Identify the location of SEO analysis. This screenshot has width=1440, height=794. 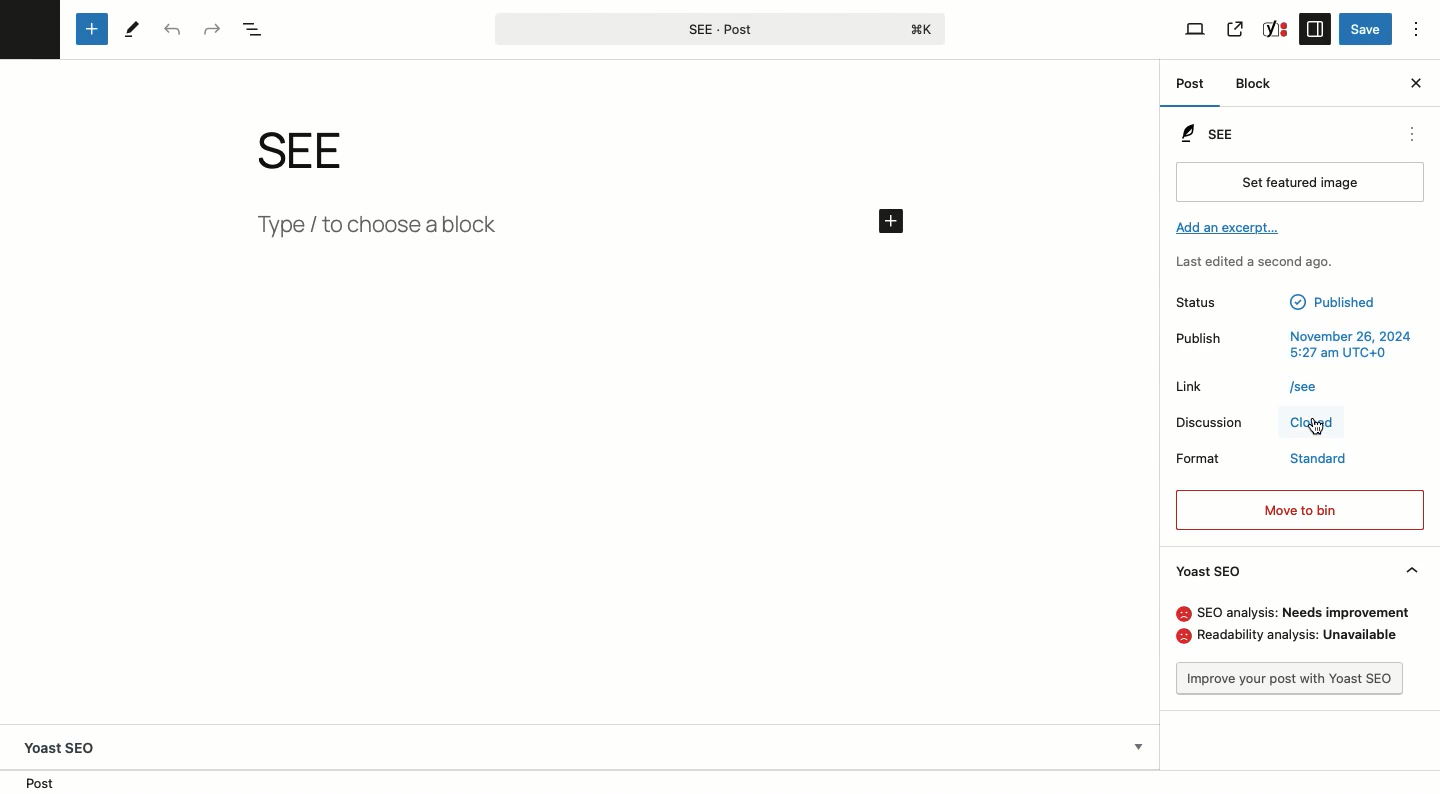
(1294, 611).